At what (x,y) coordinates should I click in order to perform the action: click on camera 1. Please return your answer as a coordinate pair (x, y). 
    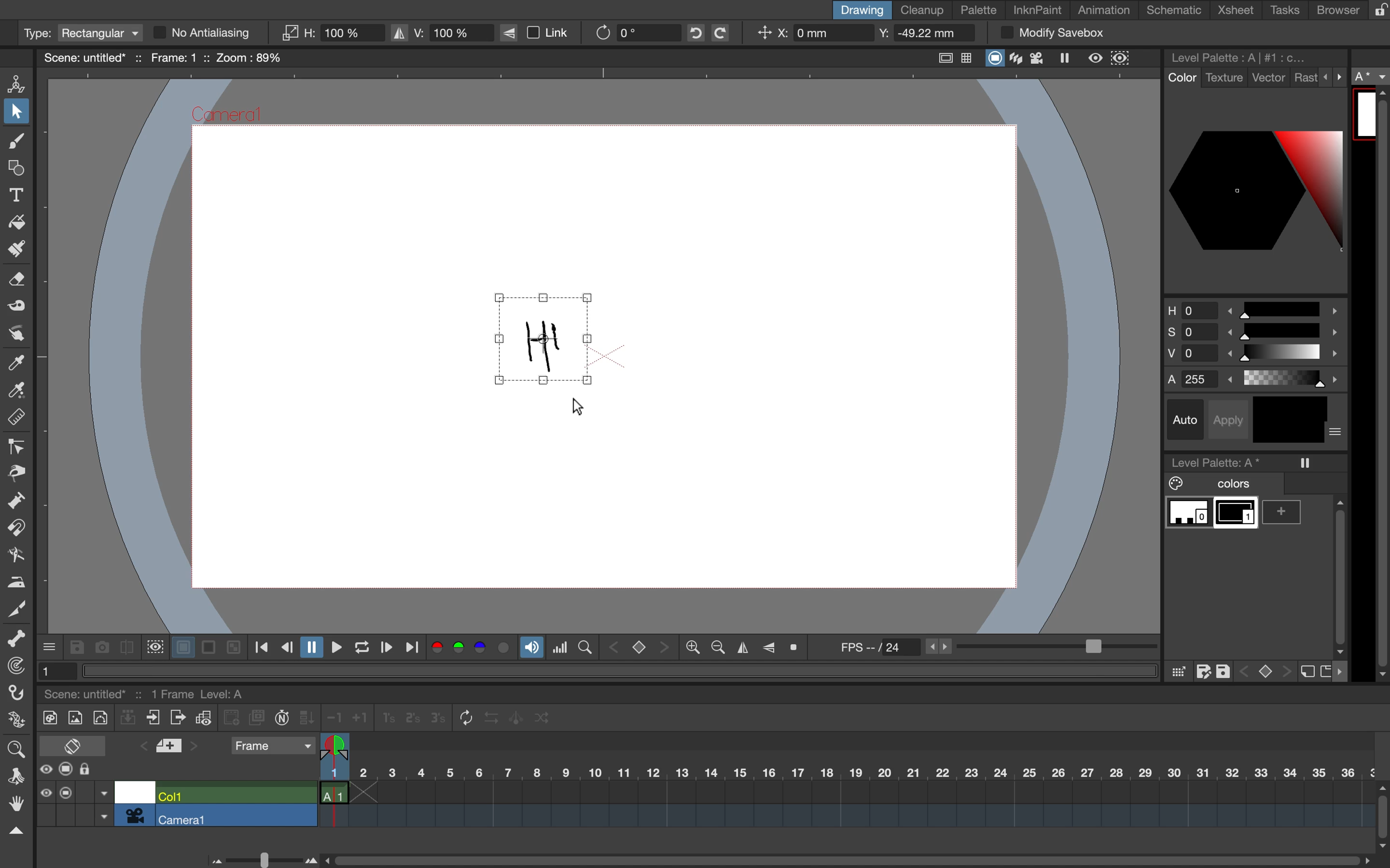
    Looking at the image, I should click on (237, 816).